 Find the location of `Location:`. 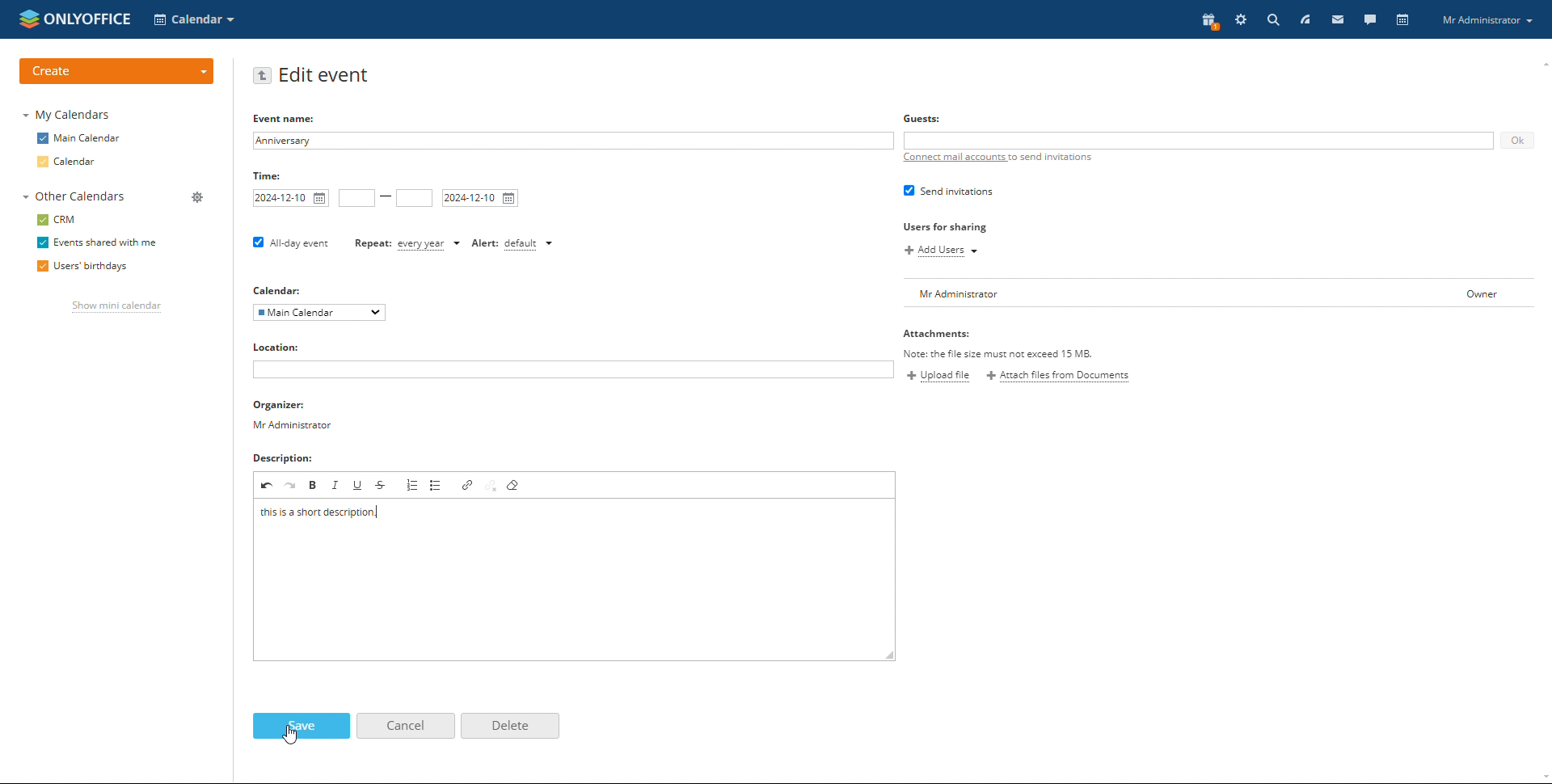

Location: is located at coordinates (278, 346).